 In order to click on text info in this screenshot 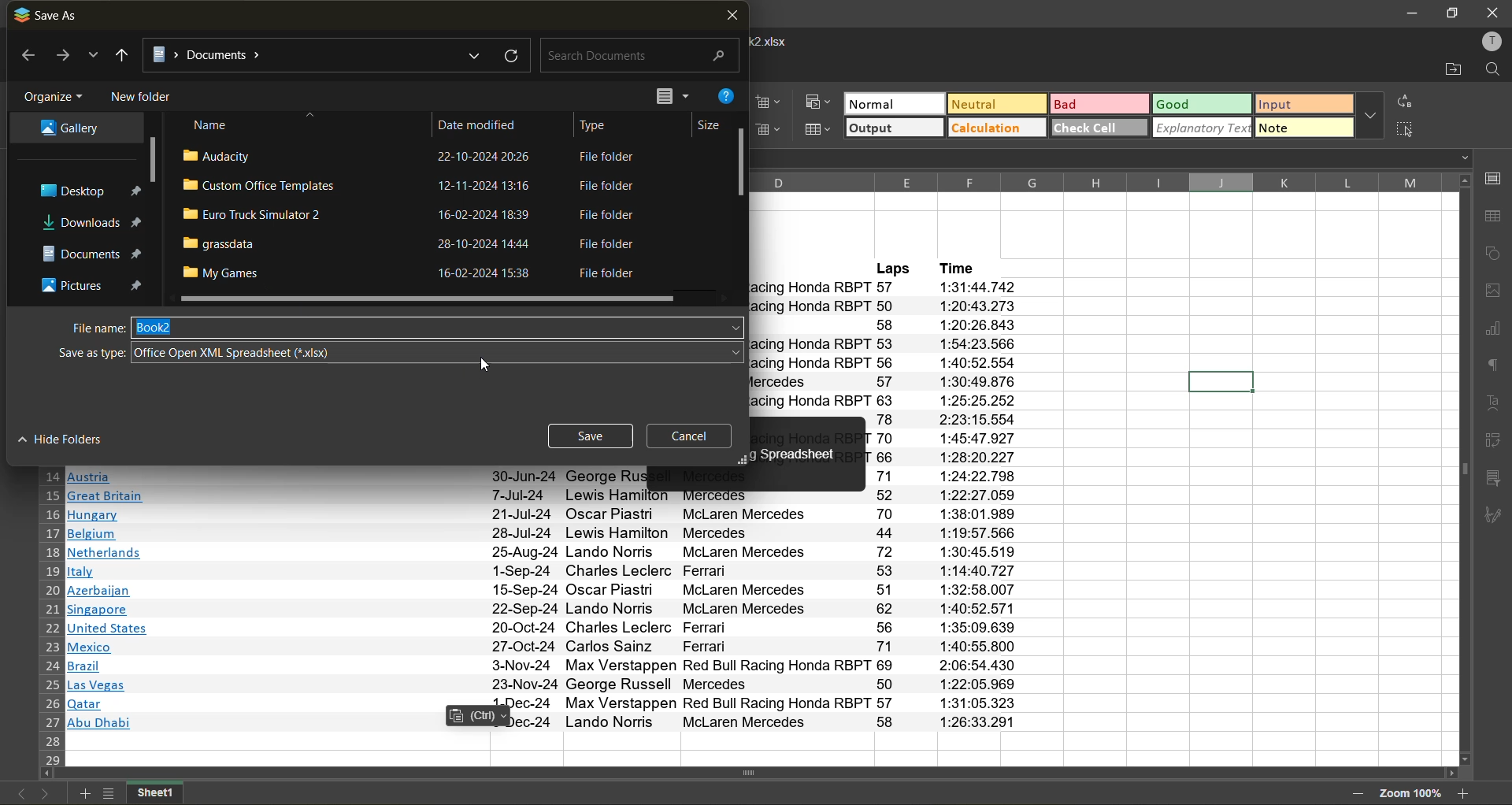, I will do `click(543, 571)`.